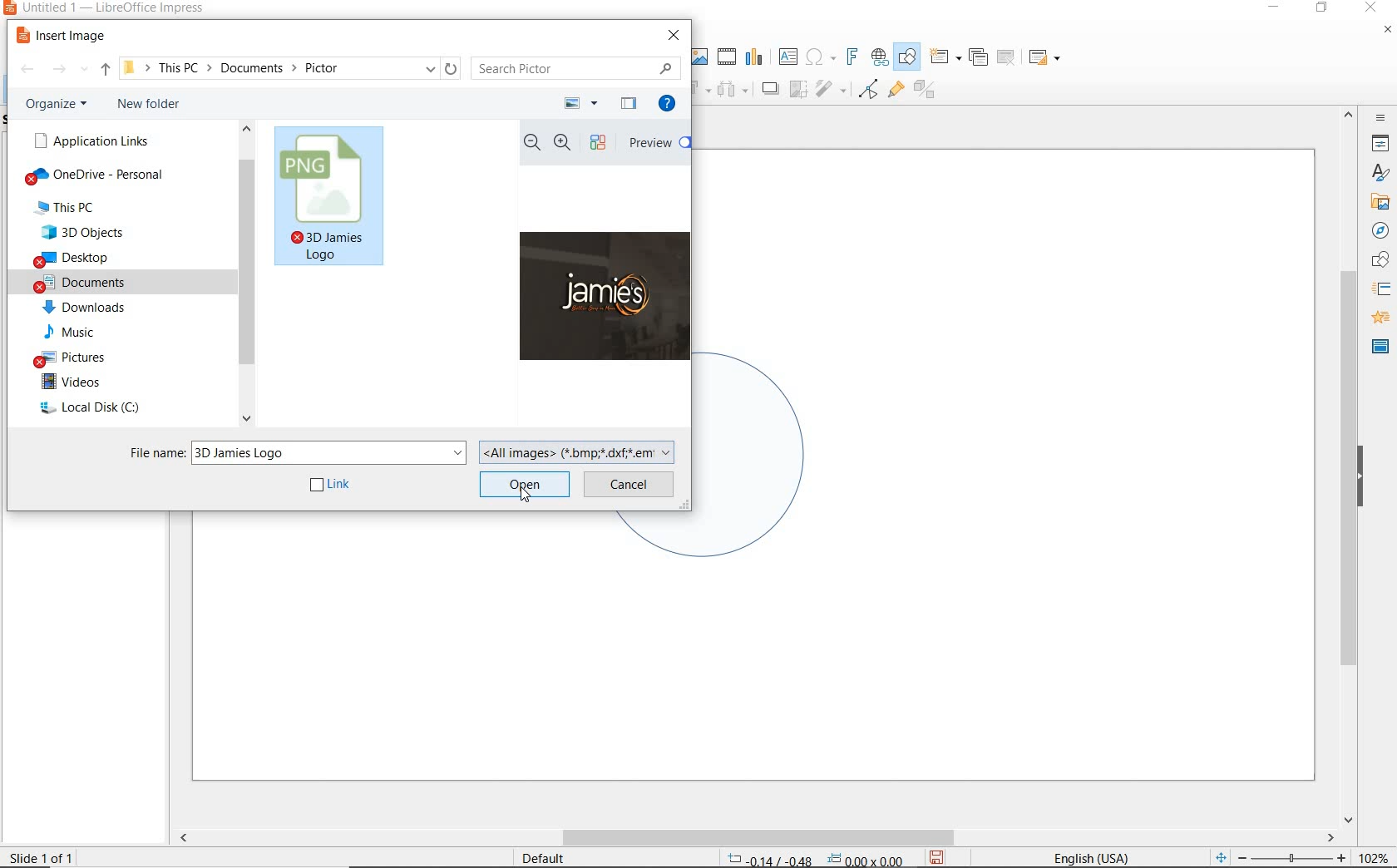 This screenshot has width=1397, height=868. What do you see at coordinates (656, 145) in the screenshot?
I see `preview` at bounding box center [656, 145].